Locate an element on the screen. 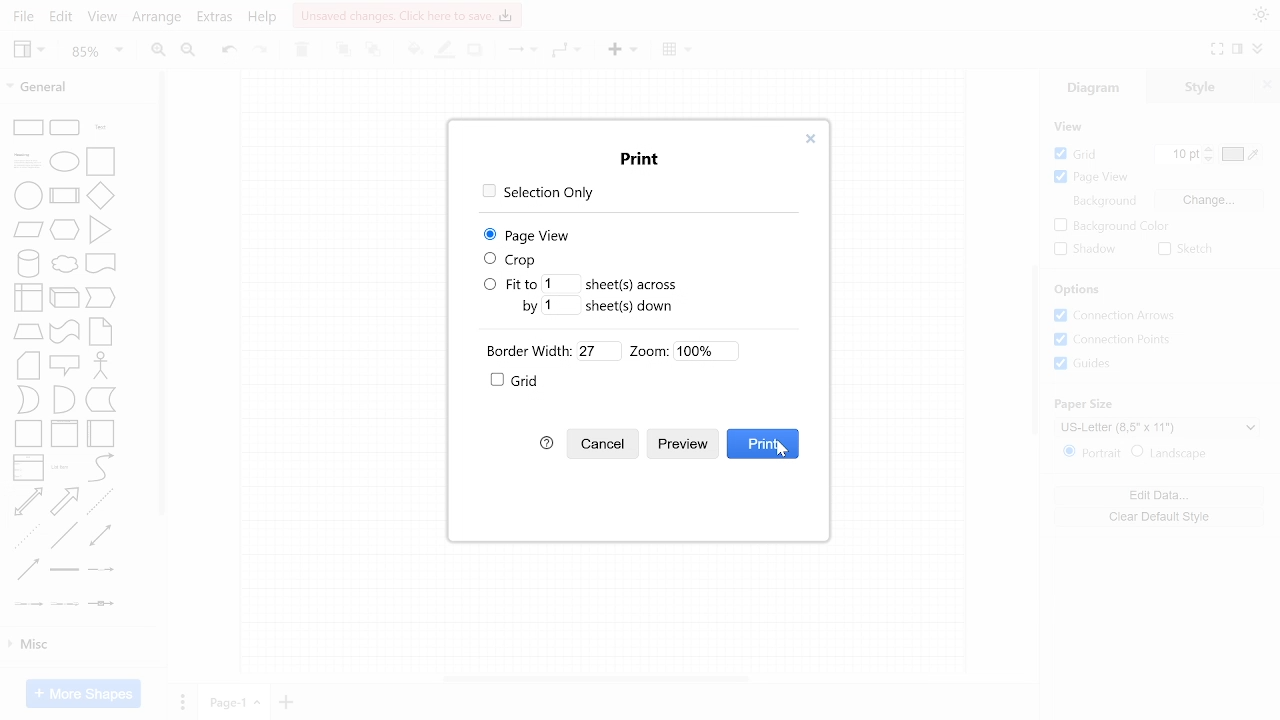  Callout is located at coordinates (64, 366).